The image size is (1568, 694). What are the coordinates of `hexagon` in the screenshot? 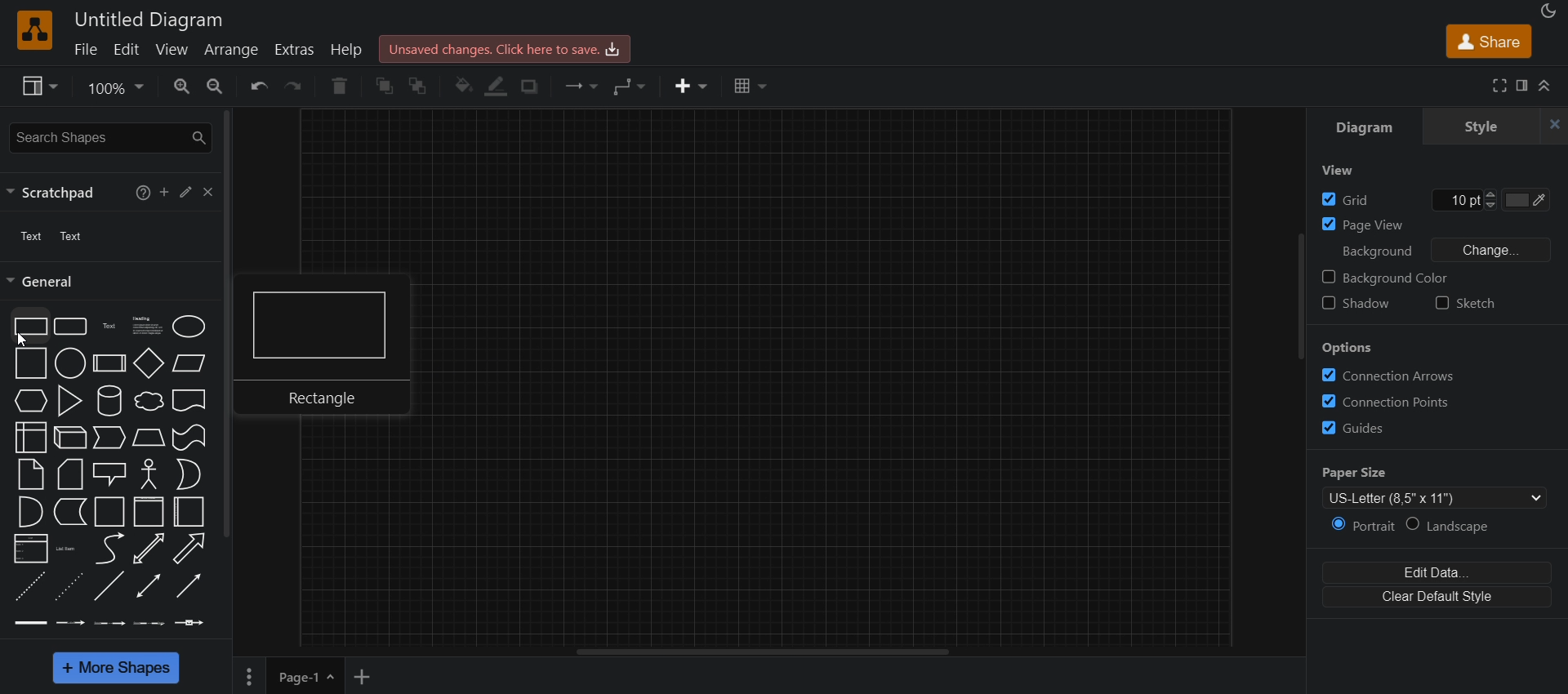 It's located at (29, 401).